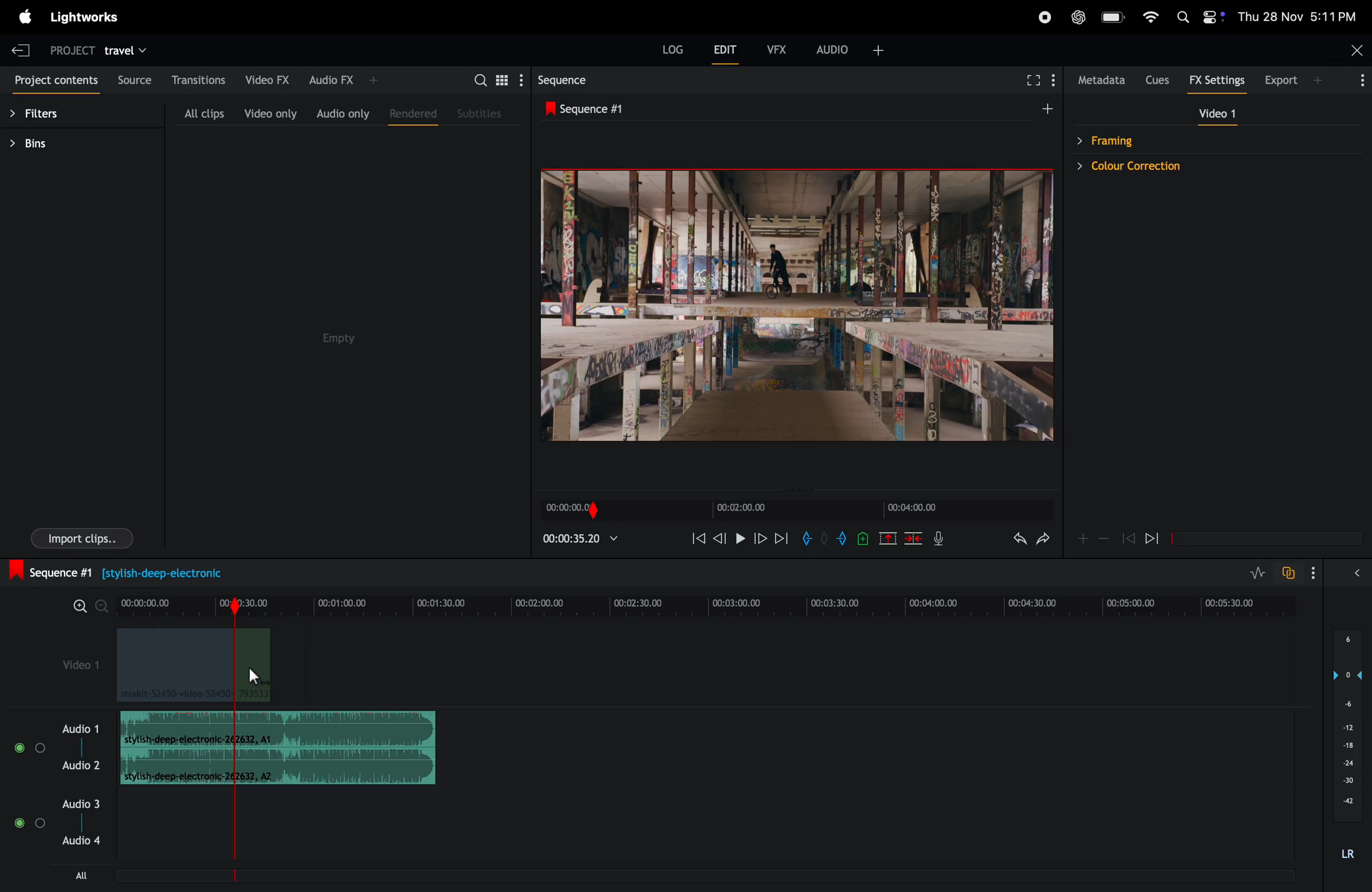 The width and height of the screenshot is (1372, 892). Describe the element at coordinates (1215, 81) in the screenshot. I see `fx setting` at that location.